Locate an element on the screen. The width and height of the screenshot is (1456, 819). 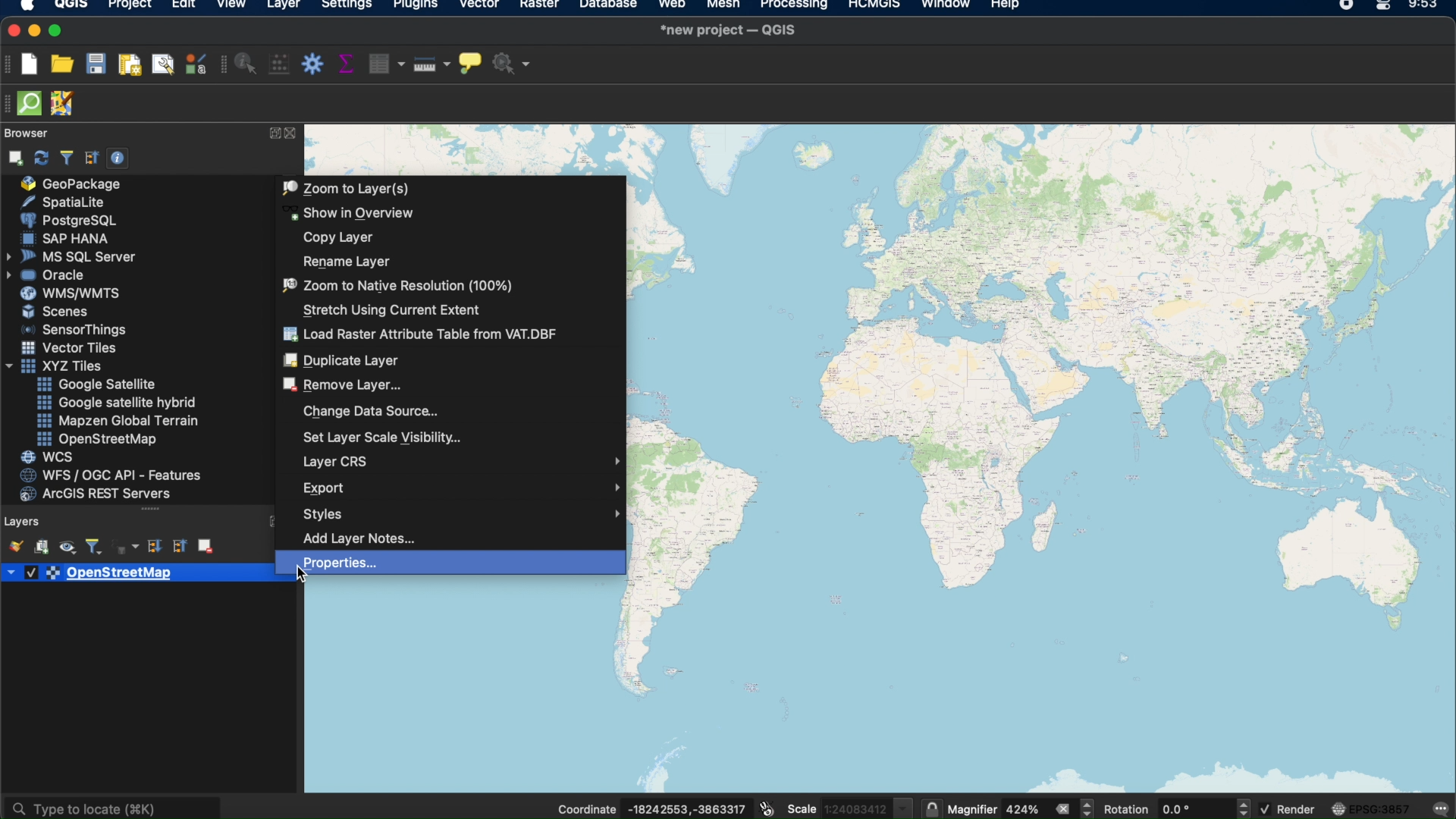
filter legend is located at coordinates (93, 547).